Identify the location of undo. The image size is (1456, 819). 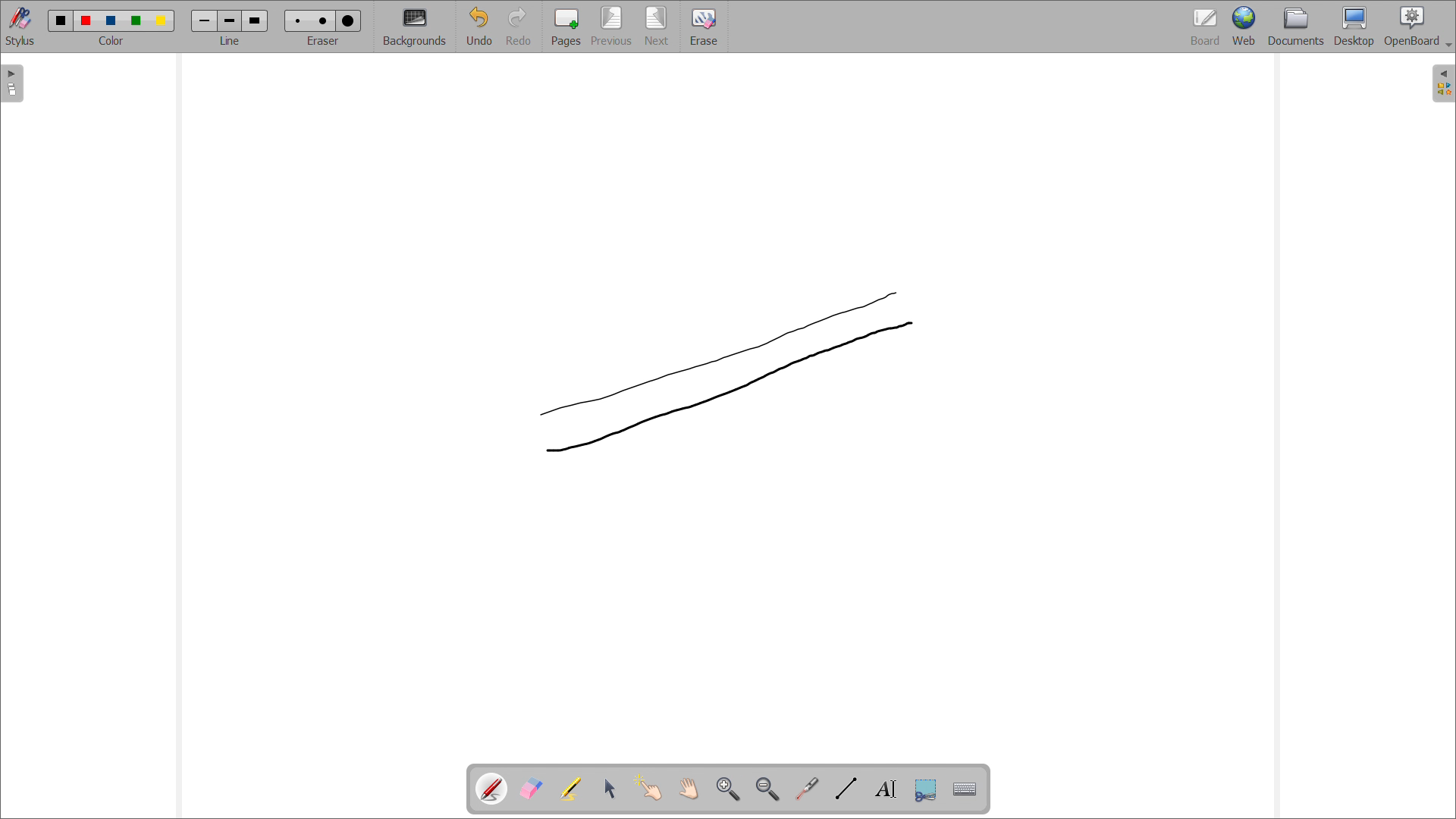
(479, 26).